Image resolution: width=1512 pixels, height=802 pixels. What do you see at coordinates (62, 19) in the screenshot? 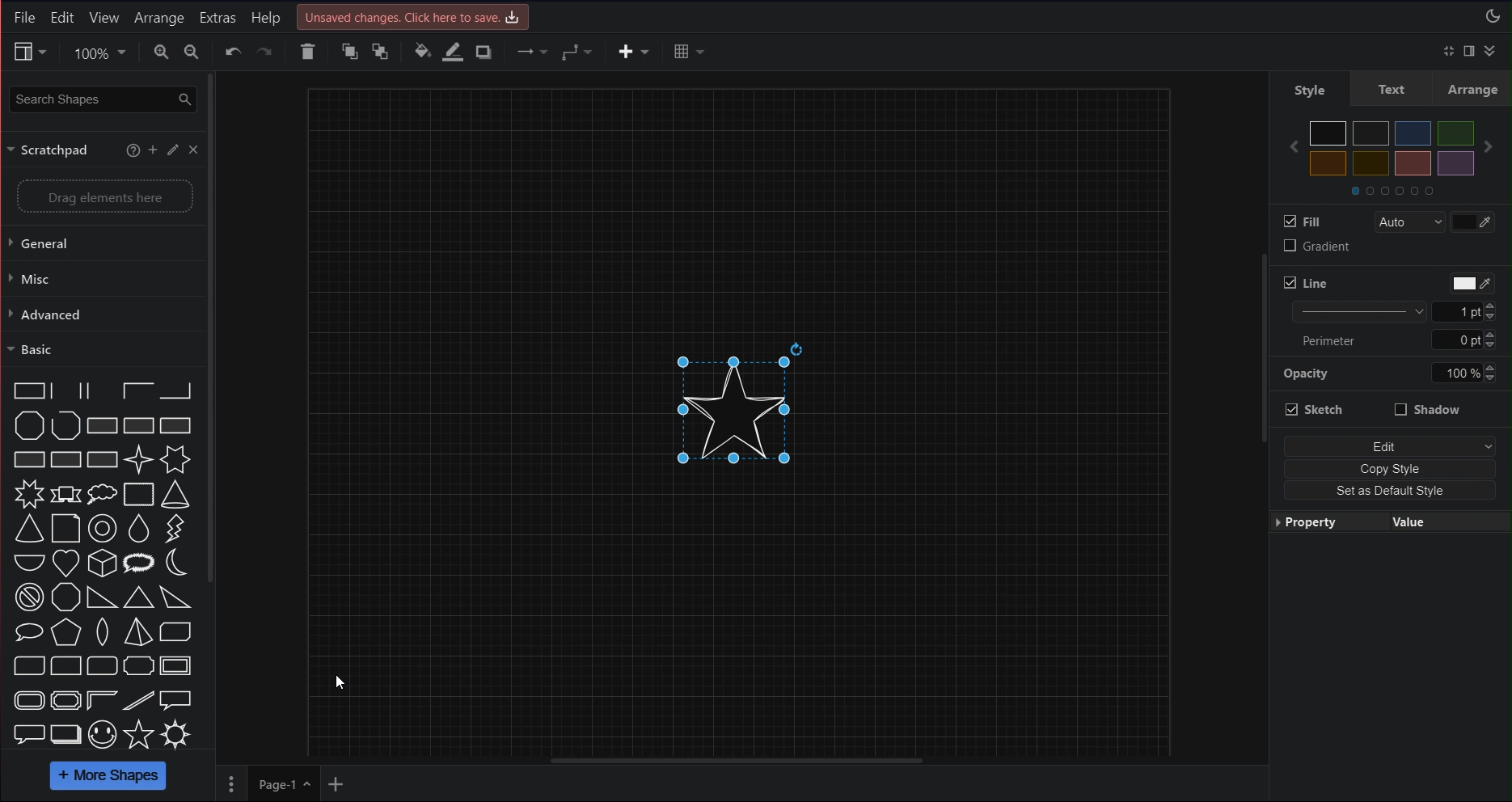
I see `Edit` at bounding box center [62, 19].